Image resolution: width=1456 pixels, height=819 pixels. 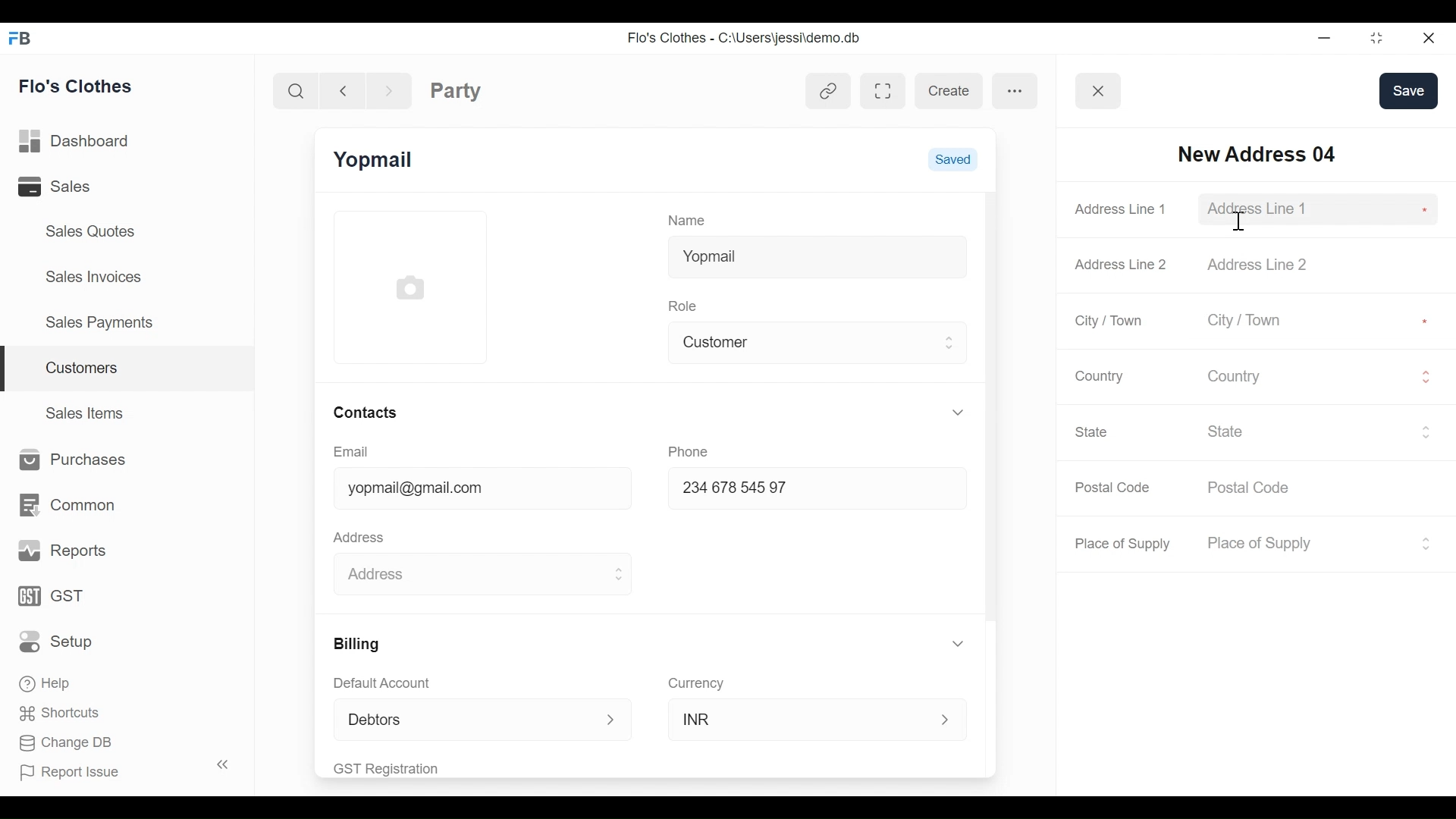 What do you see at coordinates (1239, 222) in the screenshot?
I see `text cursor` at bounding box center [1239, 222].